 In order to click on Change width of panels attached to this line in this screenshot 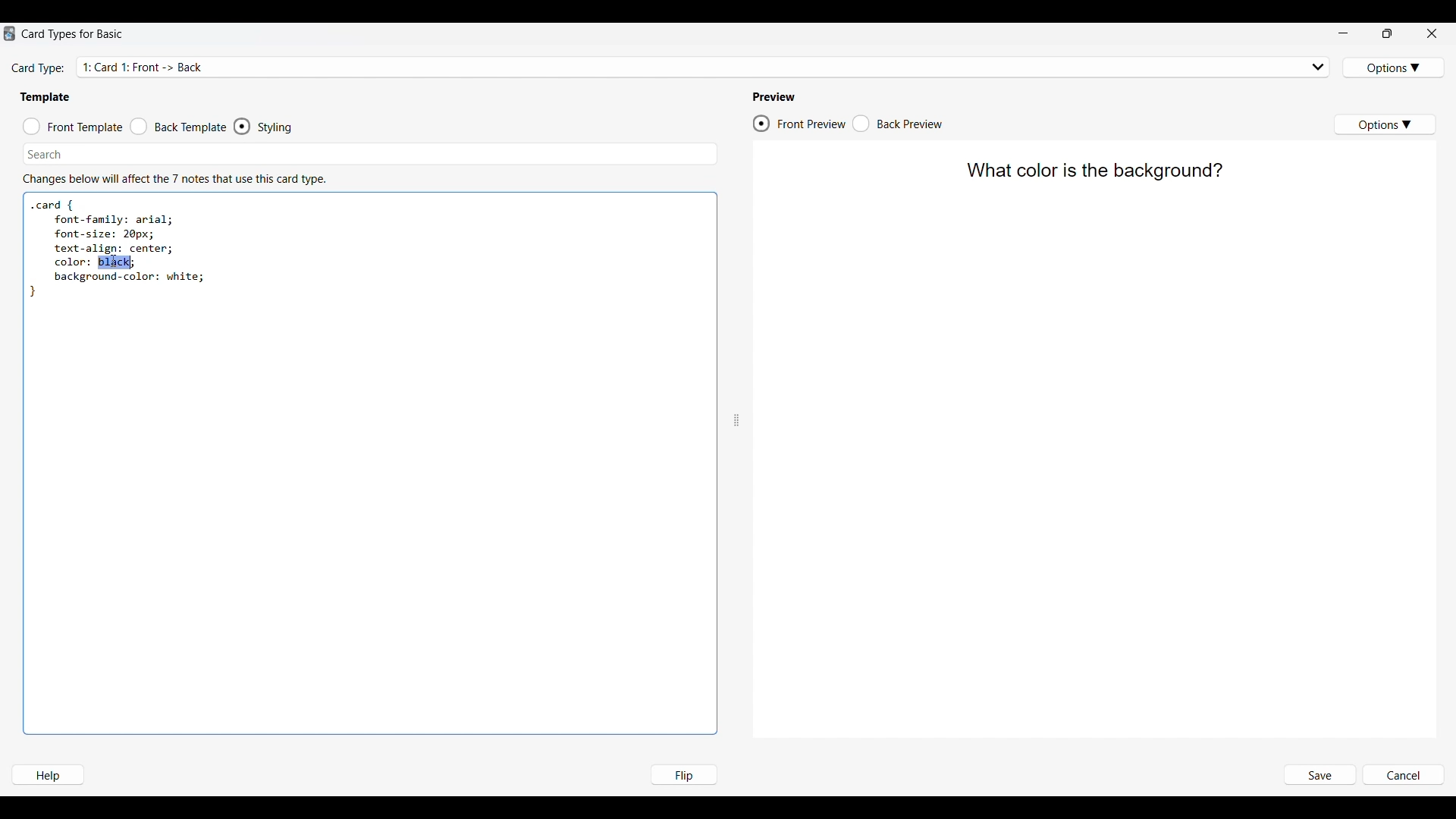, I will do `click(736, 383)`.